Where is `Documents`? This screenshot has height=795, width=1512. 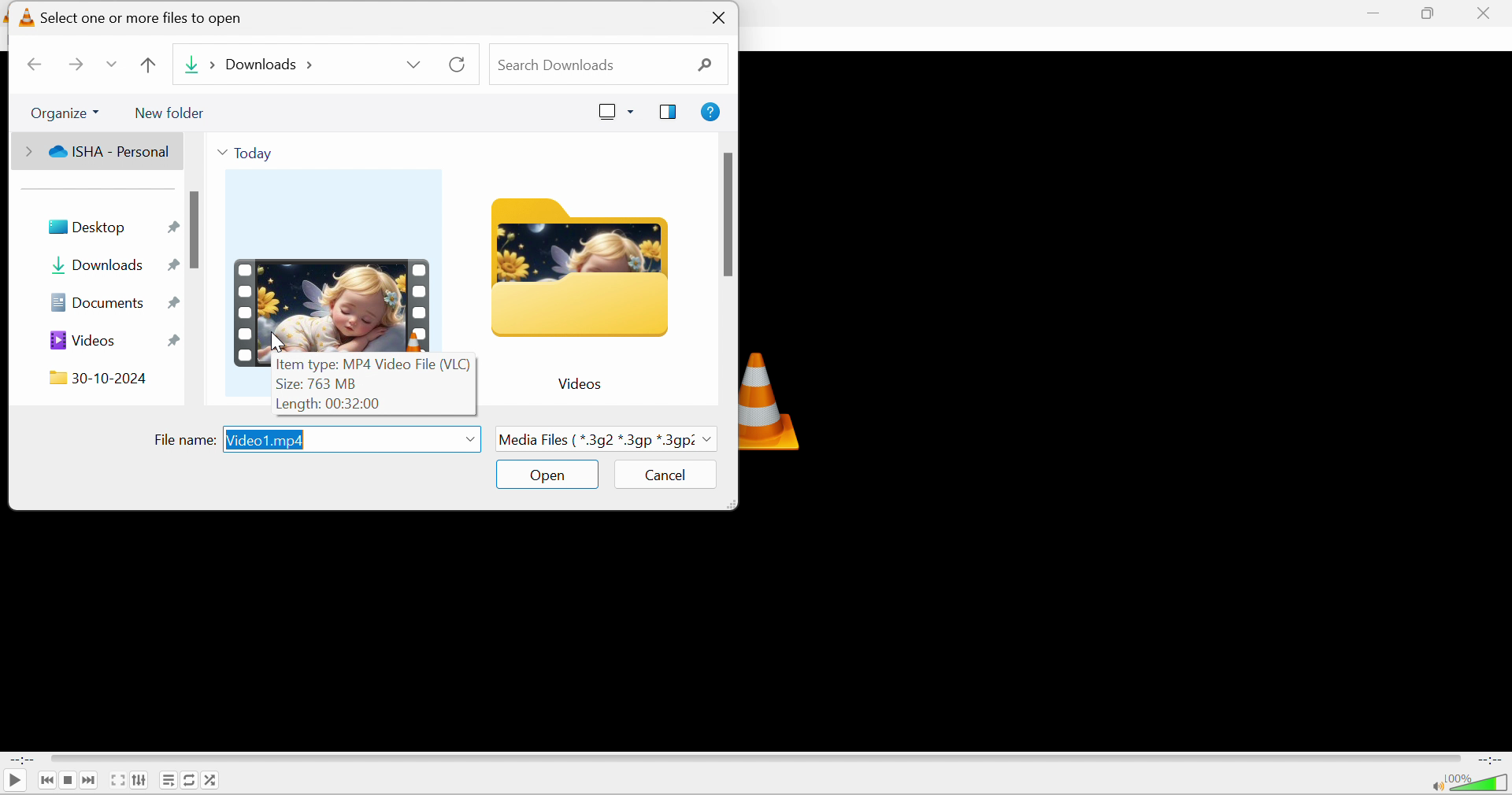 Documents is located at coordinates (96, 305).